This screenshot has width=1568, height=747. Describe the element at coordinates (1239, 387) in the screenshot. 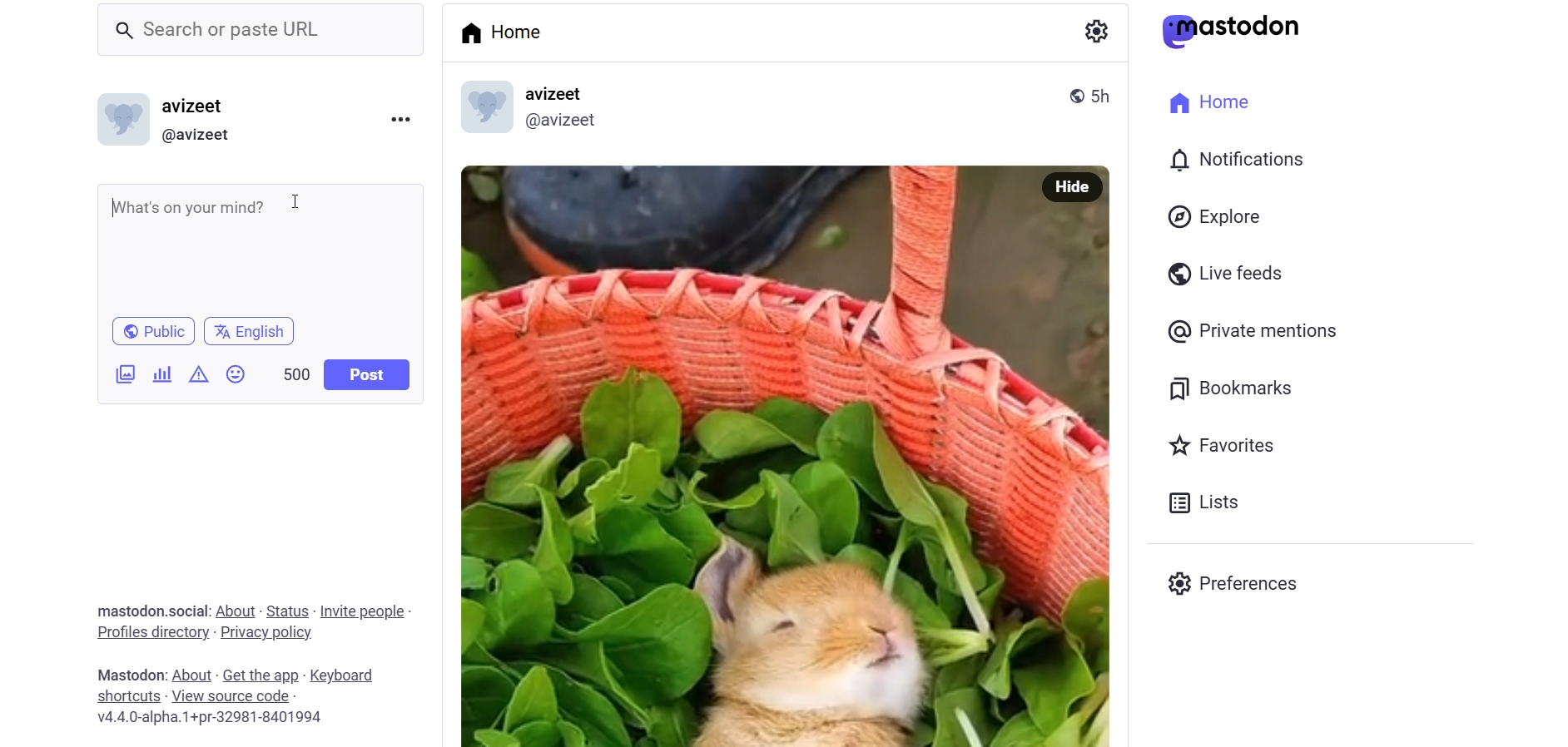

I see `bookmark` at that location.